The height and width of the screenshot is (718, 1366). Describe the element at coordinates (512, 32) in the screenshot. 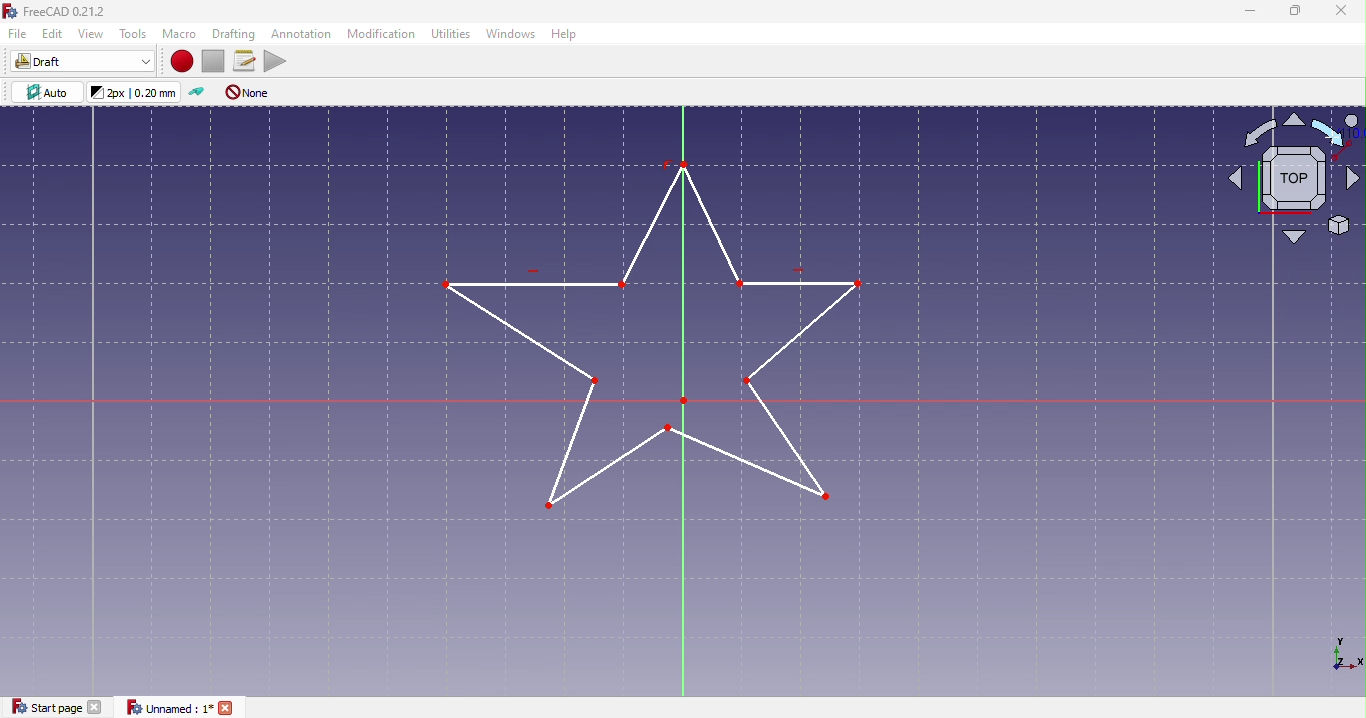

I see `Windows` at that location.